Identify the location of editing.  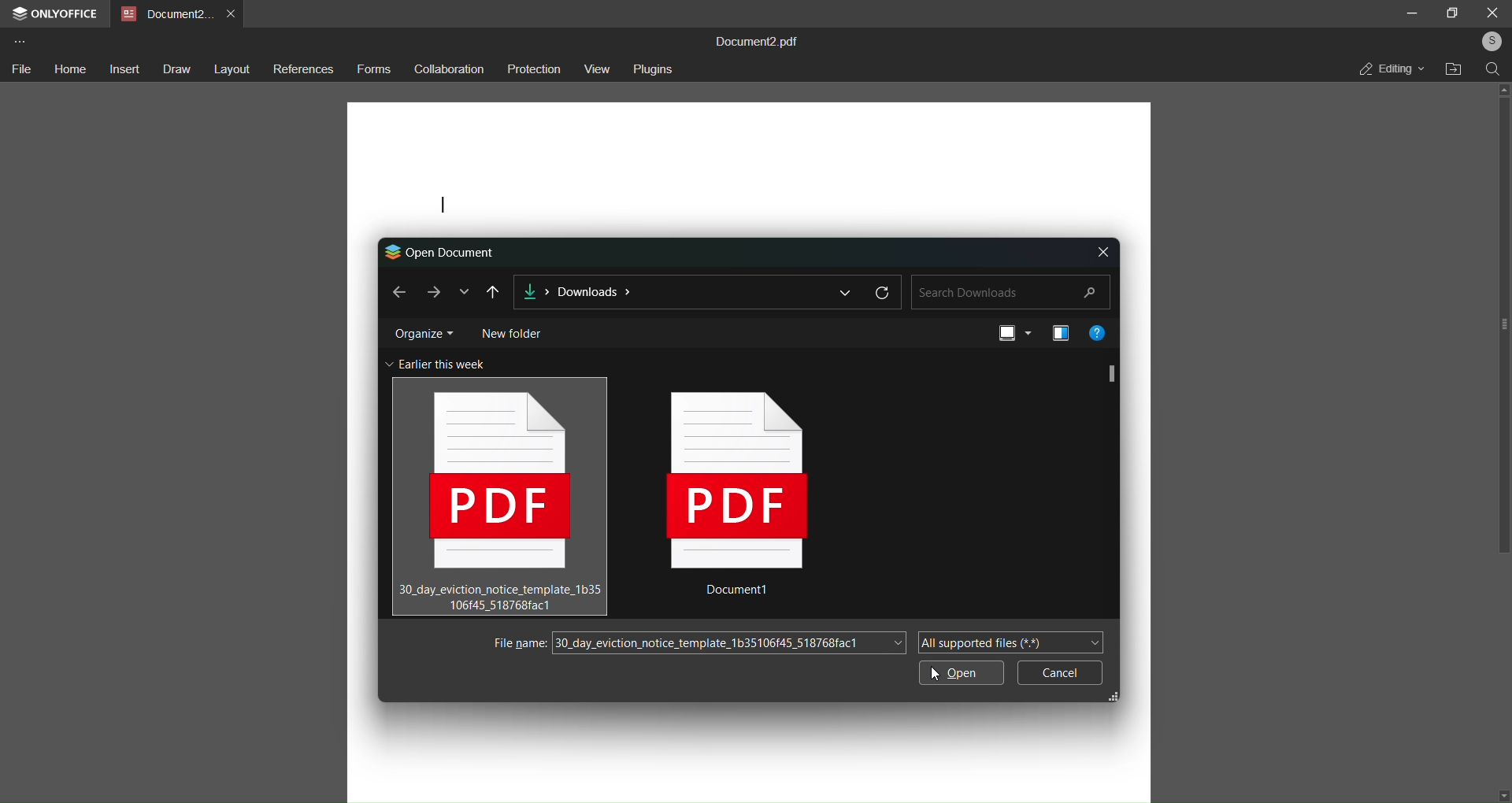
(1391, 68).